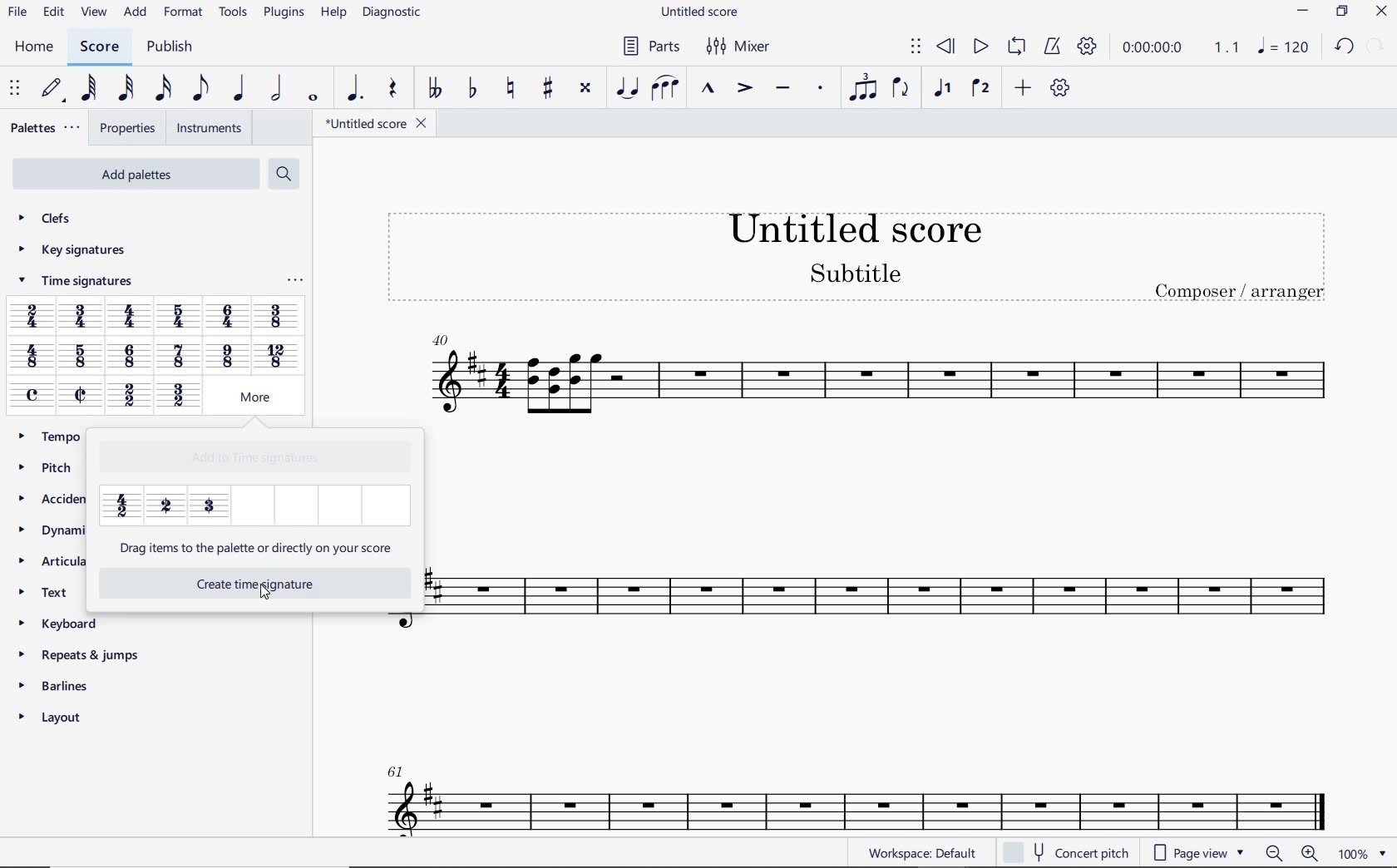 Image resolution: width=1397 pixels, height=868 pixels. I want to click on TEXT, so click(50, 591).